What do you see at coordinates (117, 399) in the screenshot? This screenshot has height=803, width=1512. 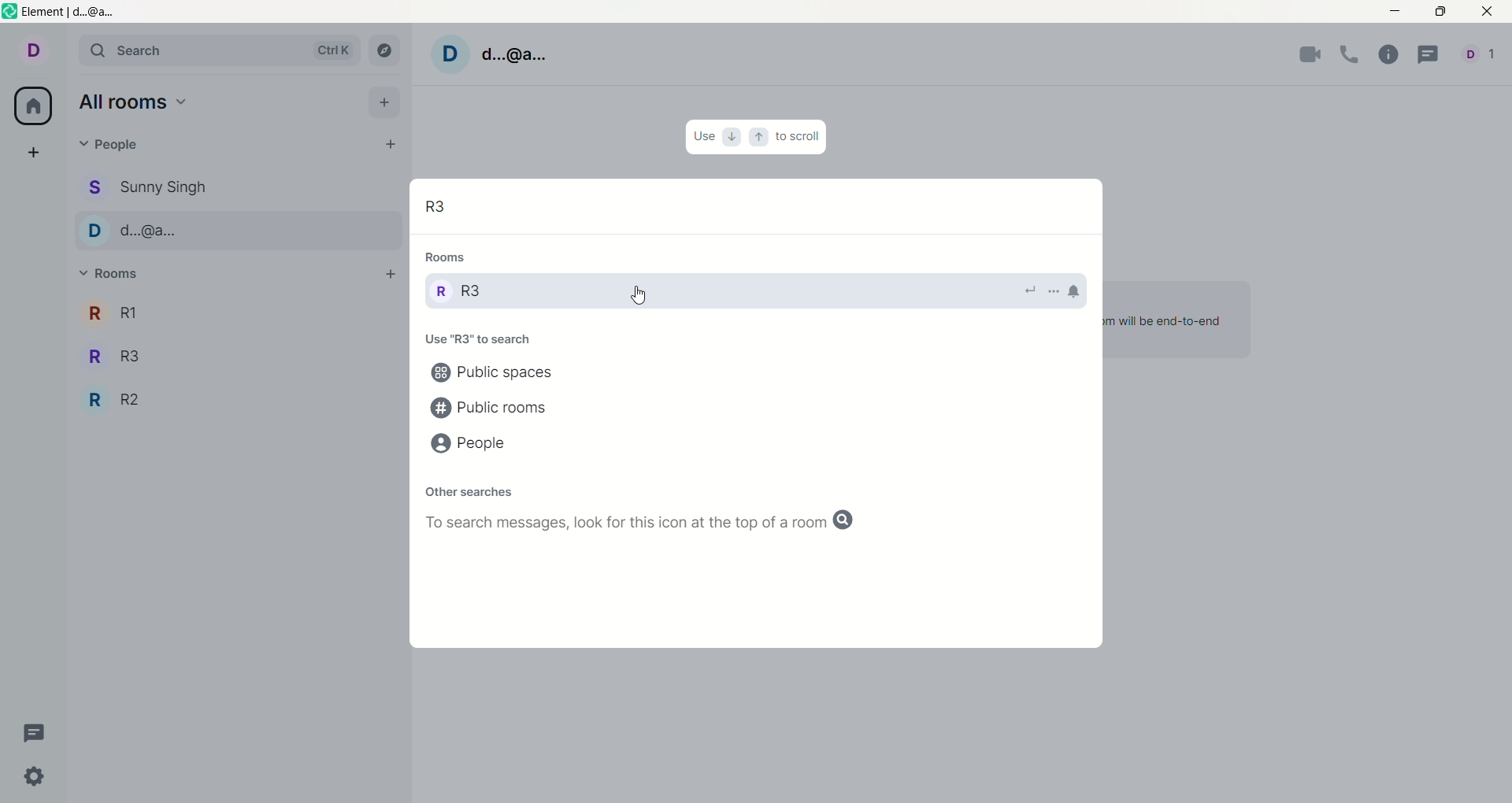 I see `R2` at bounding box center [117, 399].